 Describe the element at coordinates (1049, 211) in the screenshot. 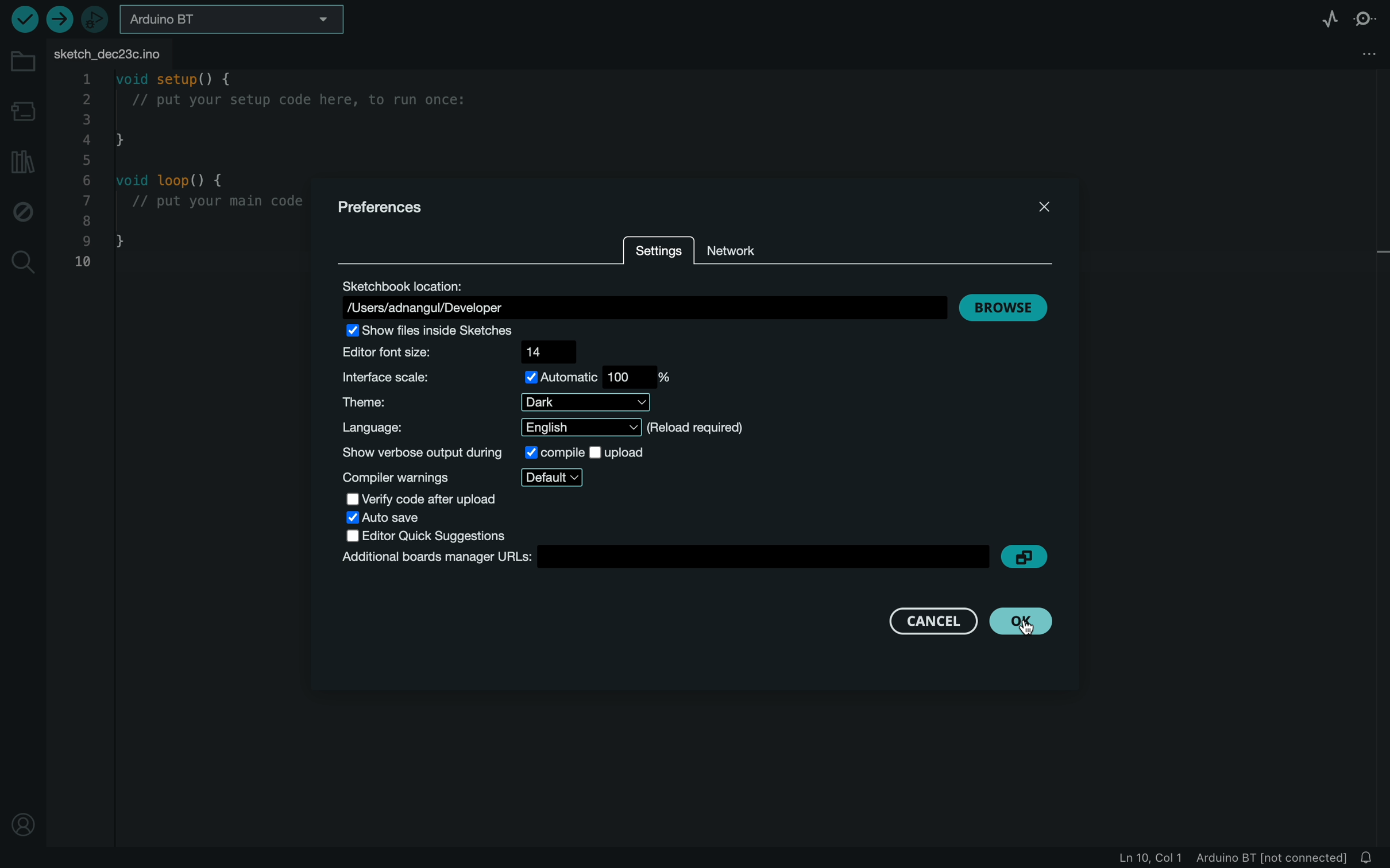

I see `close` at that location.